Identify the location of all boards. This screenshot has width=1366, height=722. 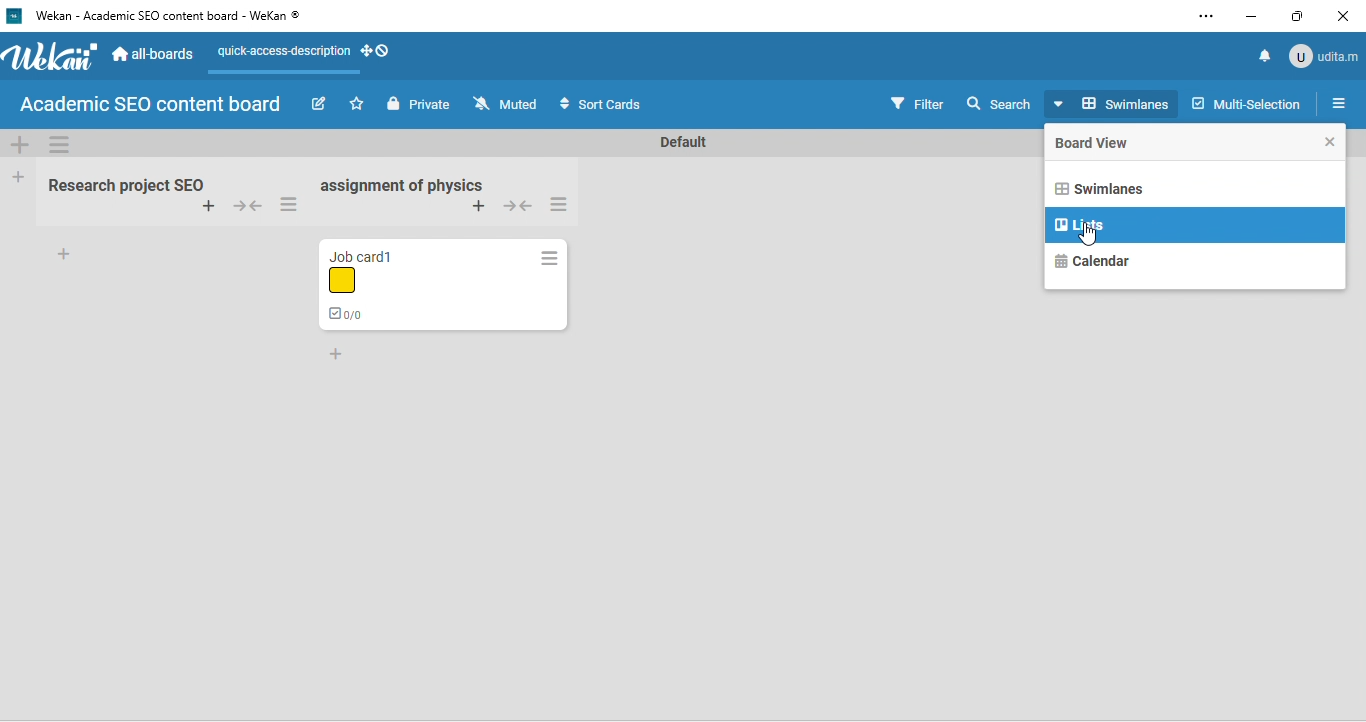
(152, 54).